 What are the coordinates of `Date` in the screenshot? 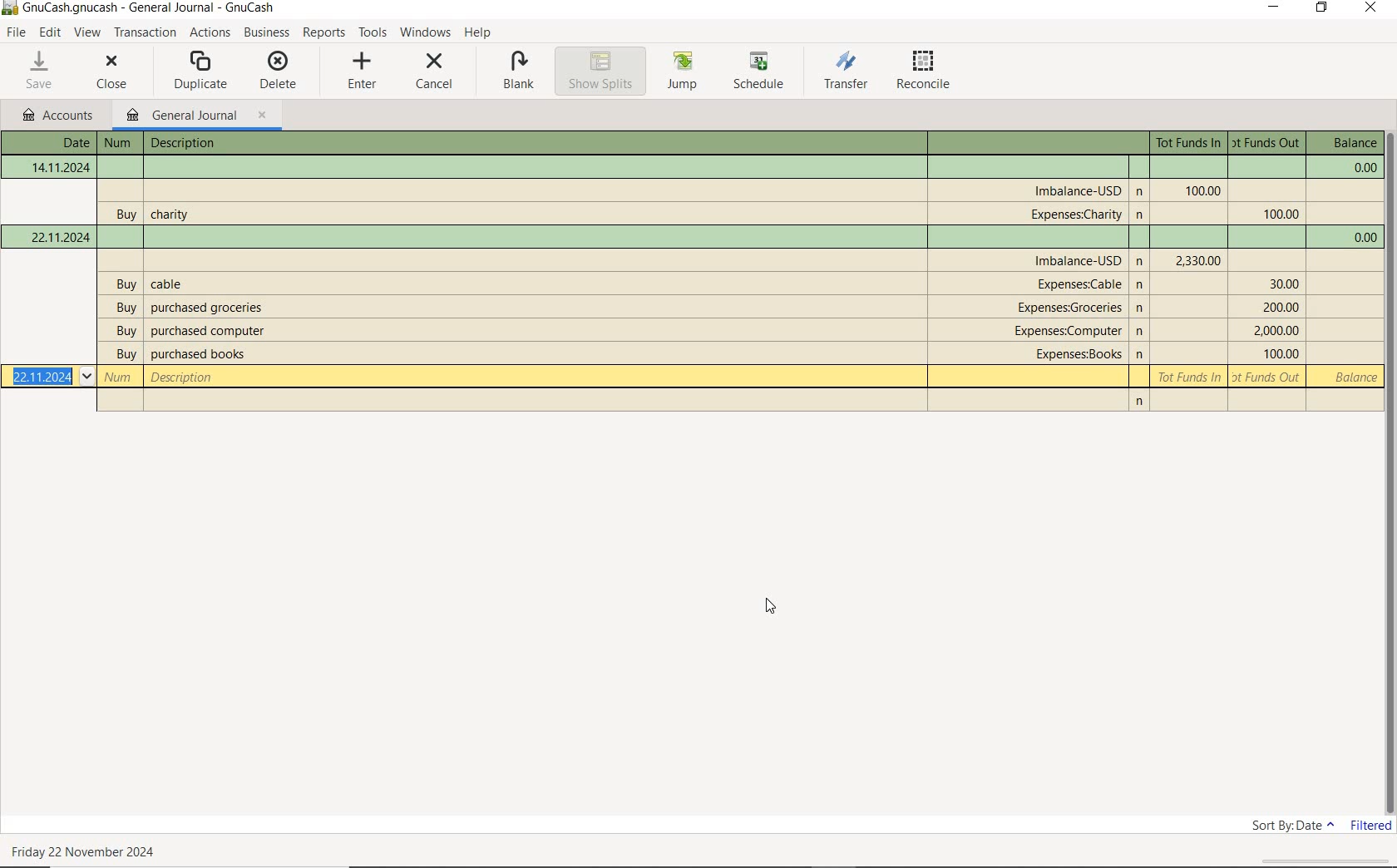 It's located at (42, 377).